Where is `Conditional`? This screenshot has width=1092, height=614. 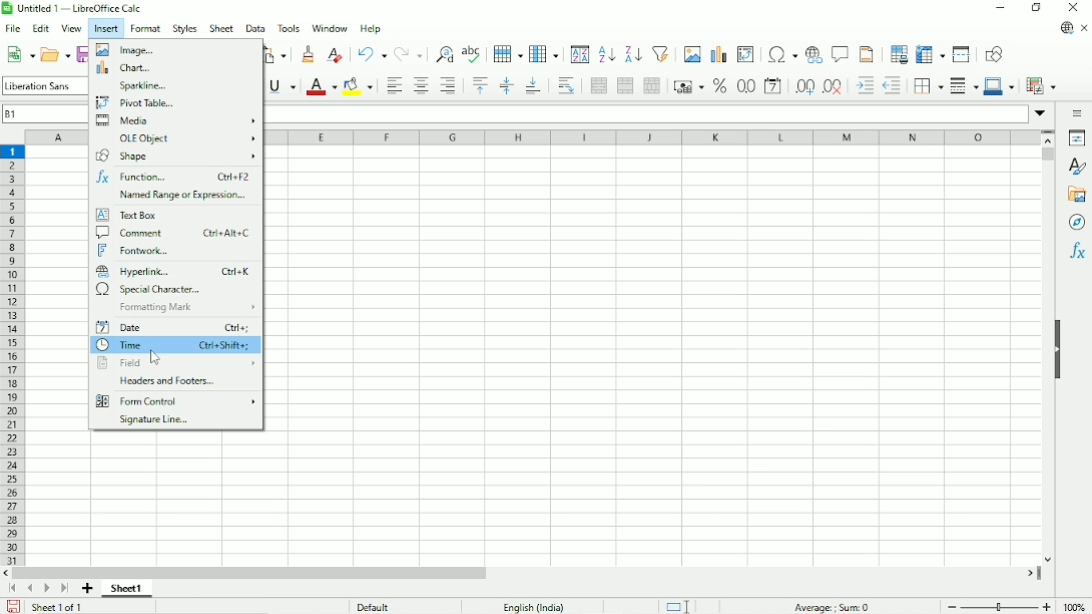
Conditional is located at coordinates (1040, 85).